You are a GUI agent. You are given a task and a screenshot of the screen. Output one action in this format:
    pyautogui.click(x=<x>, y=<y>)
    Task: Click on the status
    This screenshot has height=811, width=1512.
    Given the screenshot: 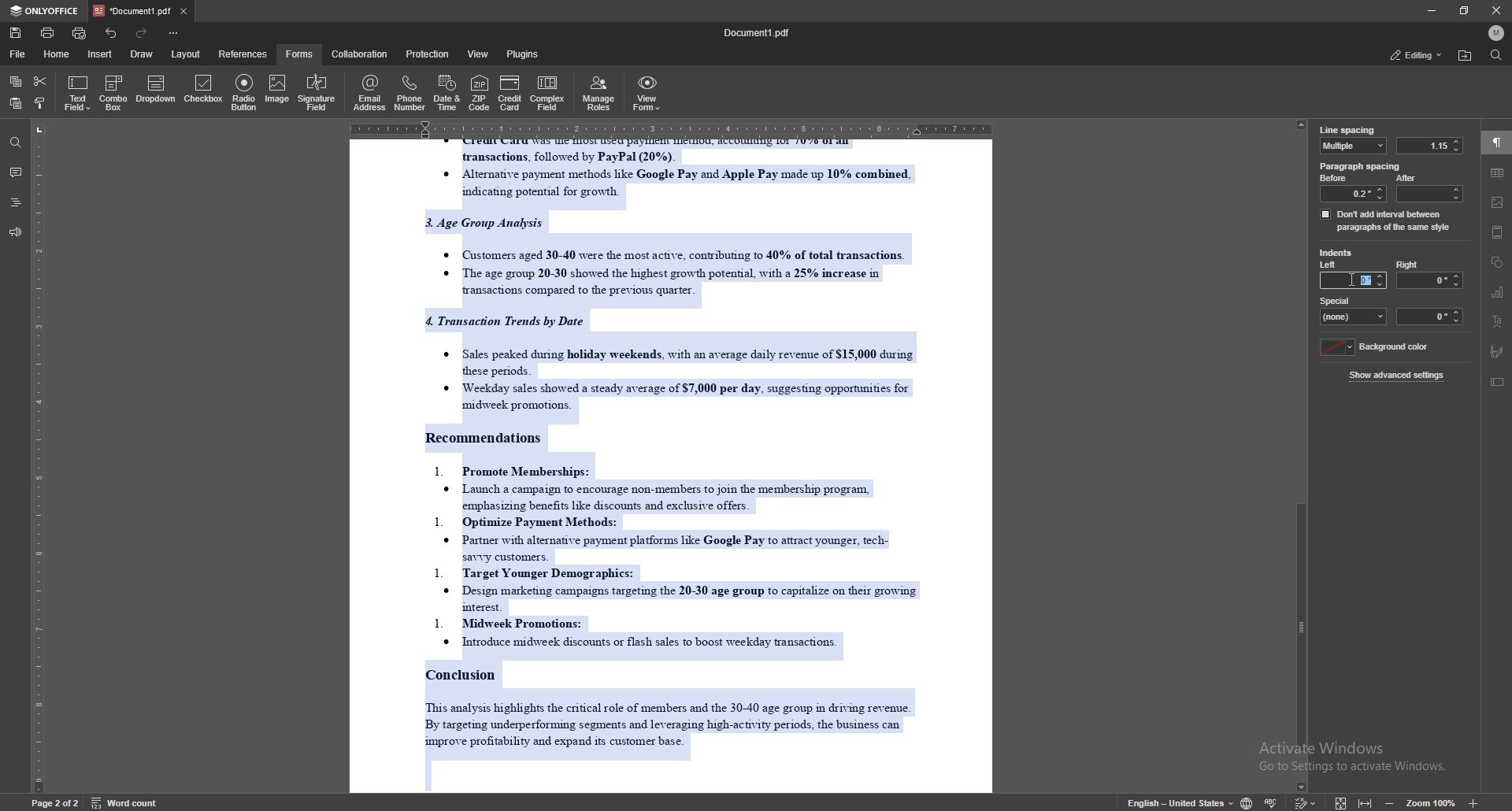 What is the action you would take?
    pyautogui.click(x=1415, y=54)
    